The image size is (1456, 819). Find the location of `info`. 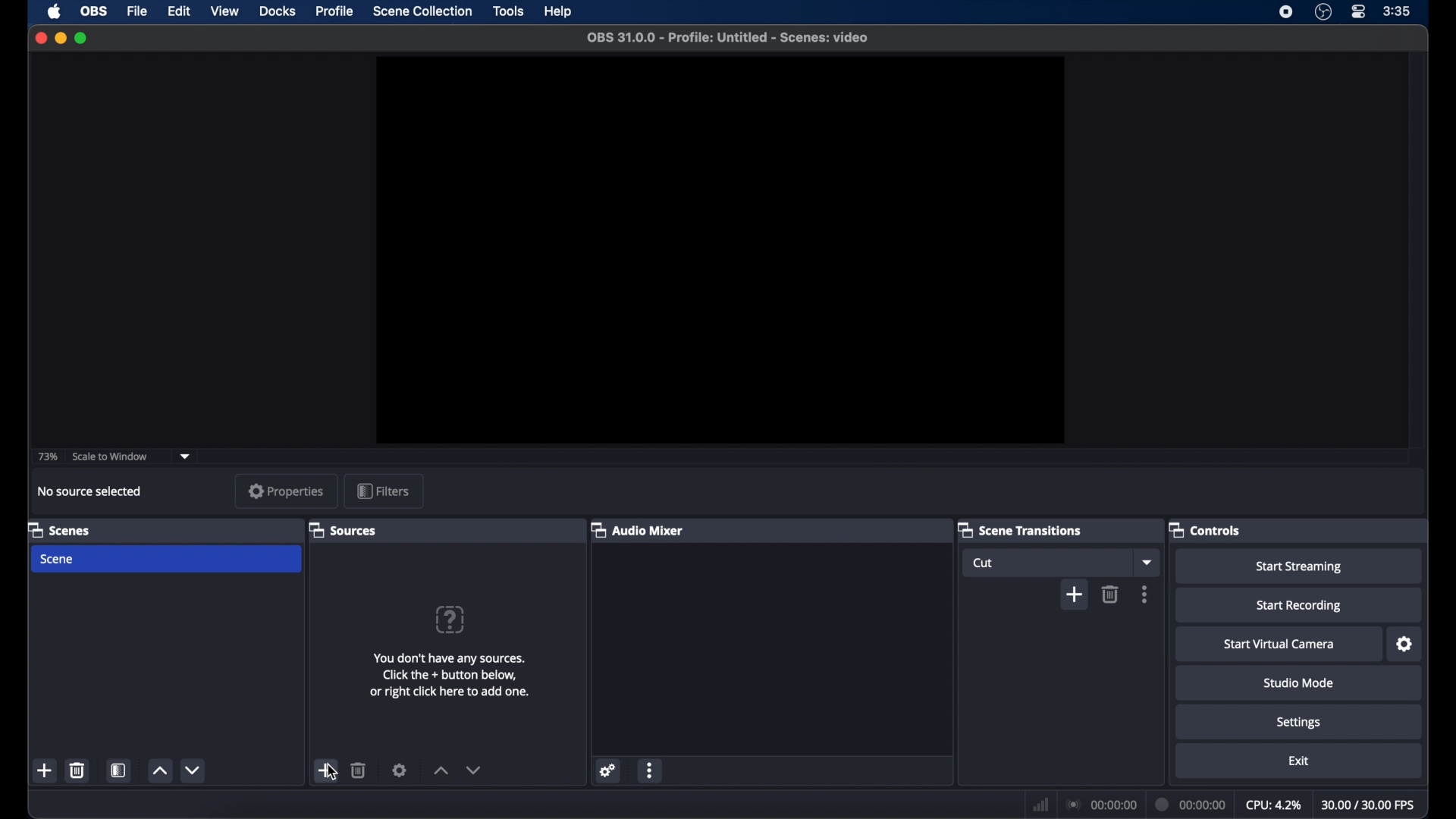

info is located at coordinates (449, 675).